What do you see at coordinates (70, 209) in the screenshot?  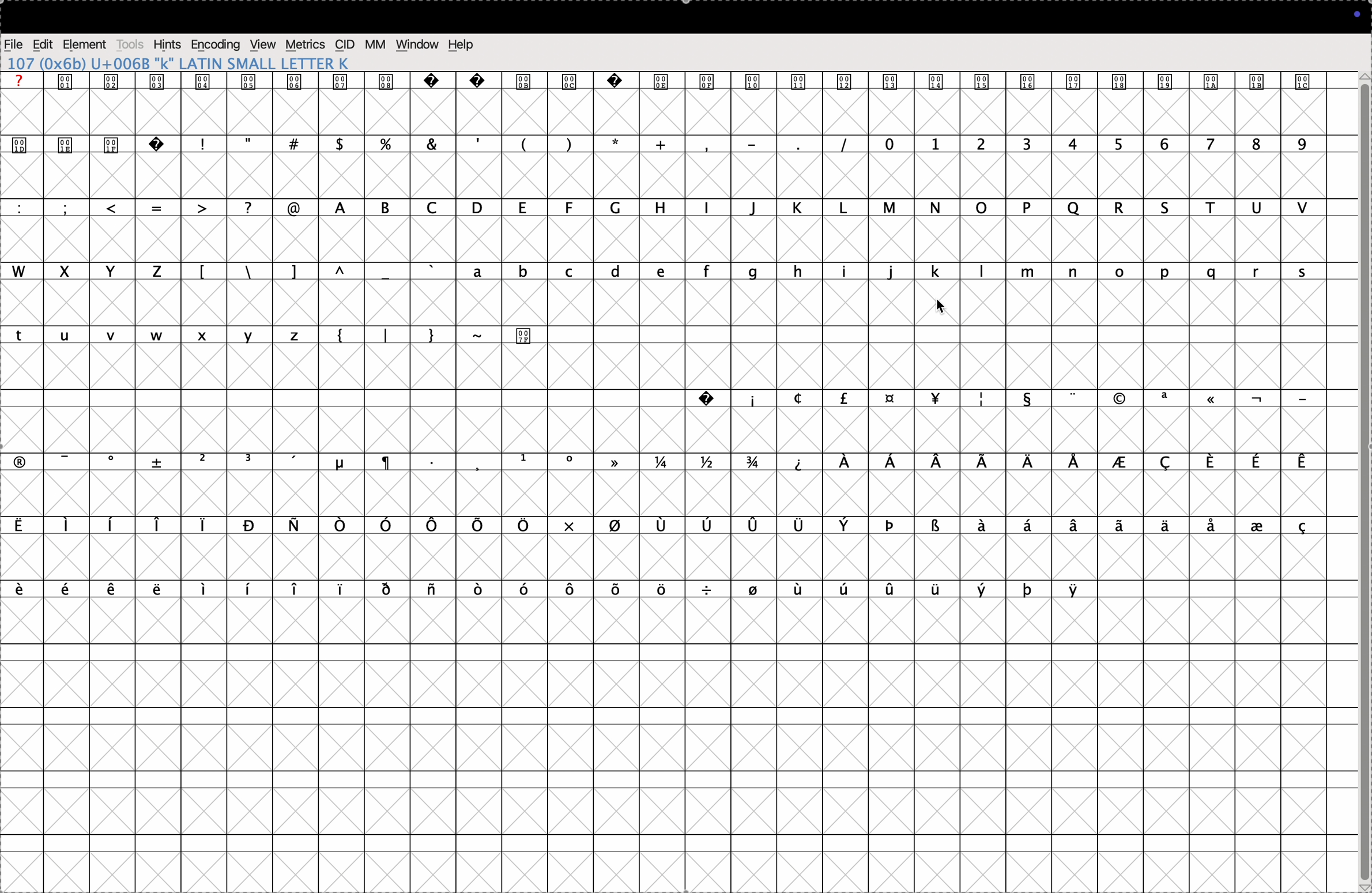 I see `:` at bounding box center [70, 209].